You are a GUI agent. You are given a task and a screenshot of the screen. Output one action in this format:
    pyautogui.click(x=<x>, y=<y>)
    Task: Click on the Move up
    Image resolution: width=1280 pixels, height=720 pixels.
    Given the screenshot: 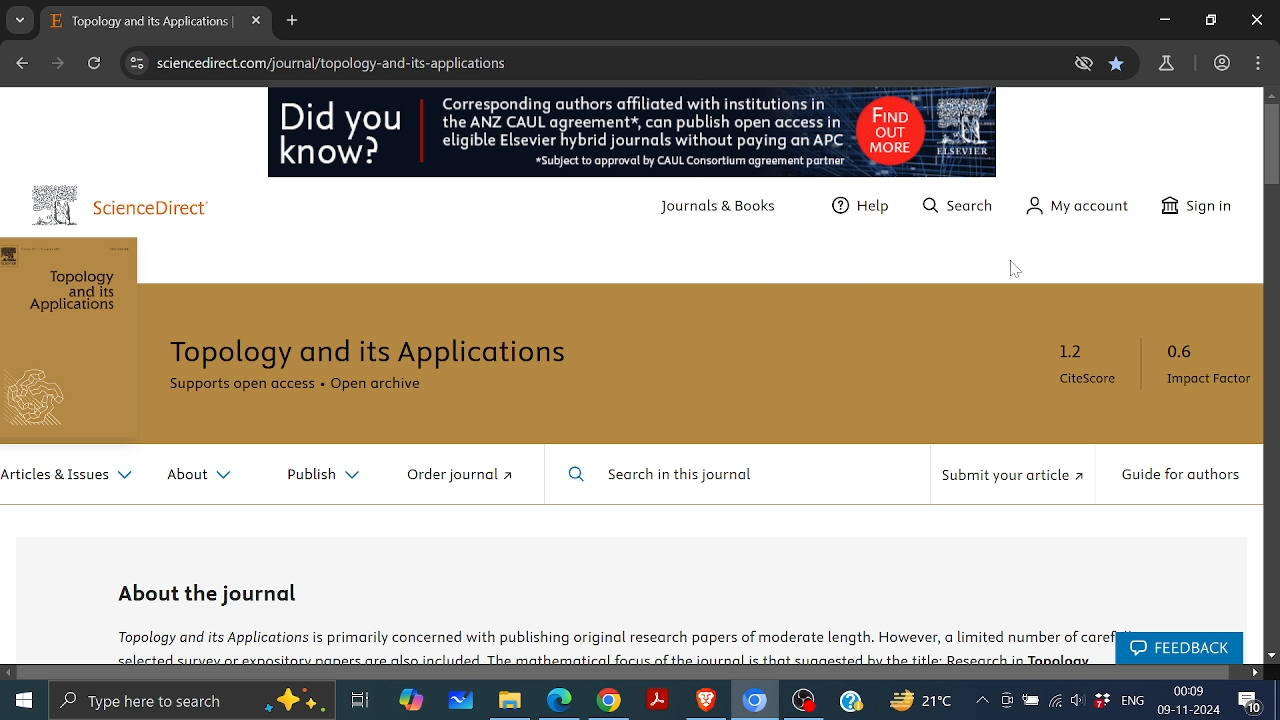 What is the action you would take?
    pyautogui.click(x=1272, y=96)
    